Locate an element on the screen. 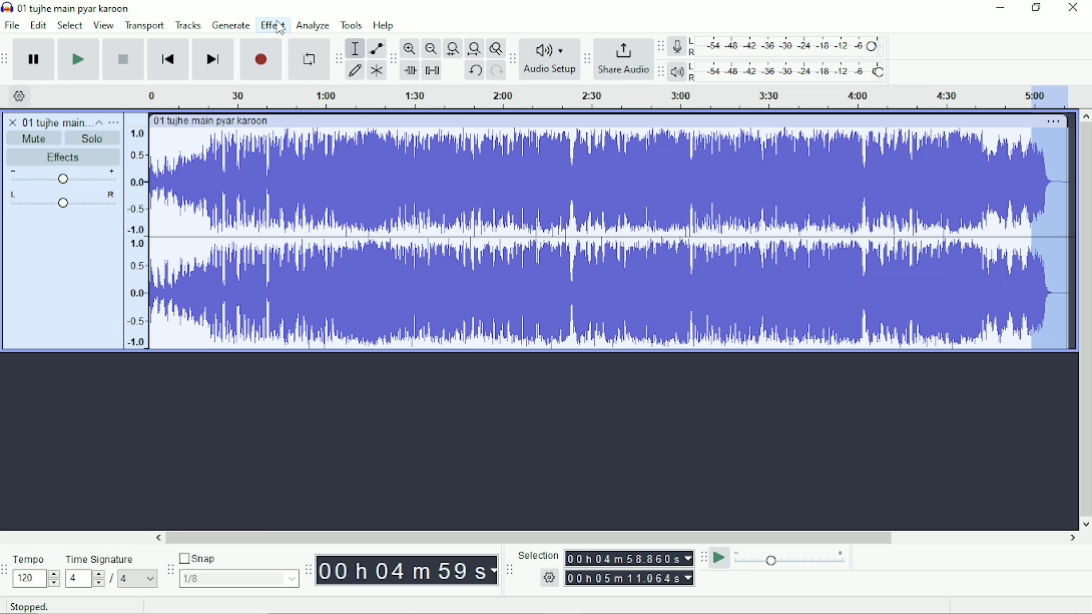 This screenshot has width=1092, height=614. Audacity snapping toolbar is located at coordinates (170, 569).